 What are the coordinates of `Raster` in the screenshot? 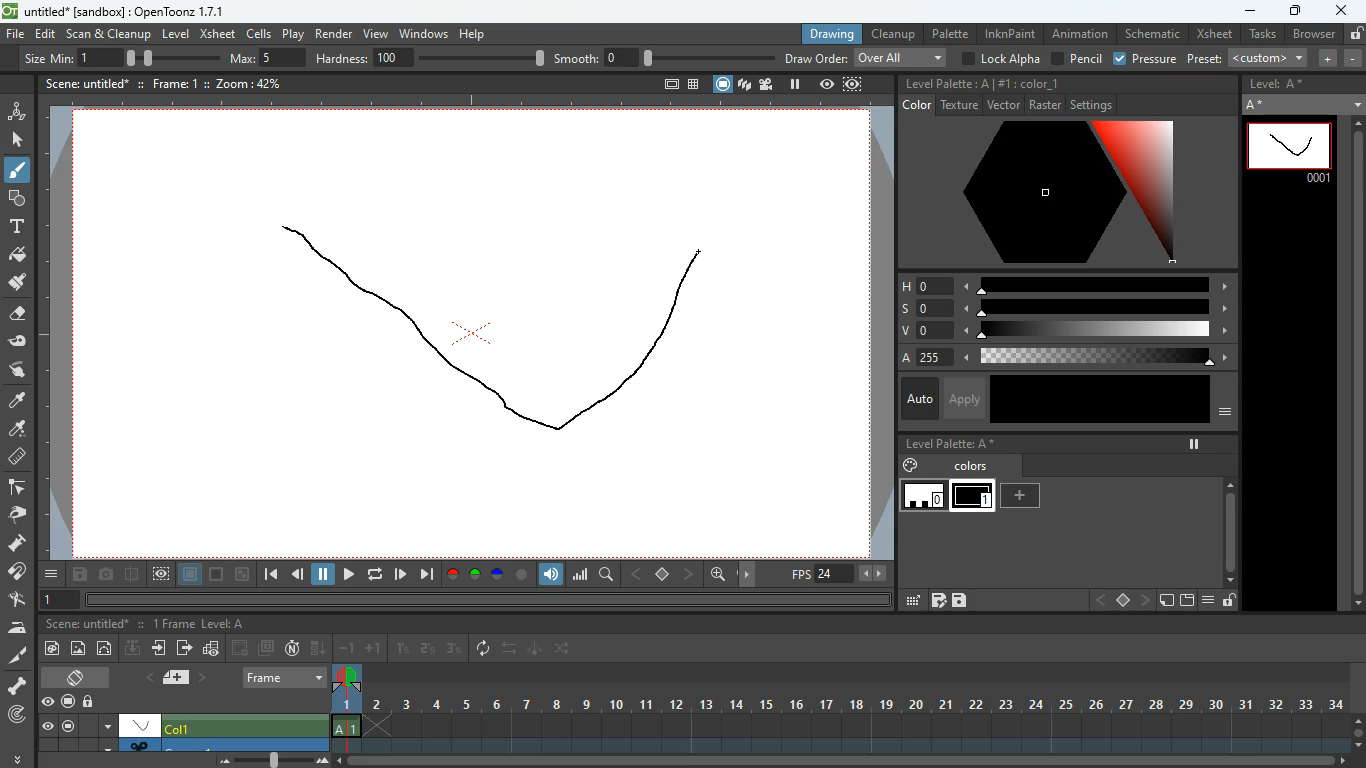 It's located at (1045, 104).